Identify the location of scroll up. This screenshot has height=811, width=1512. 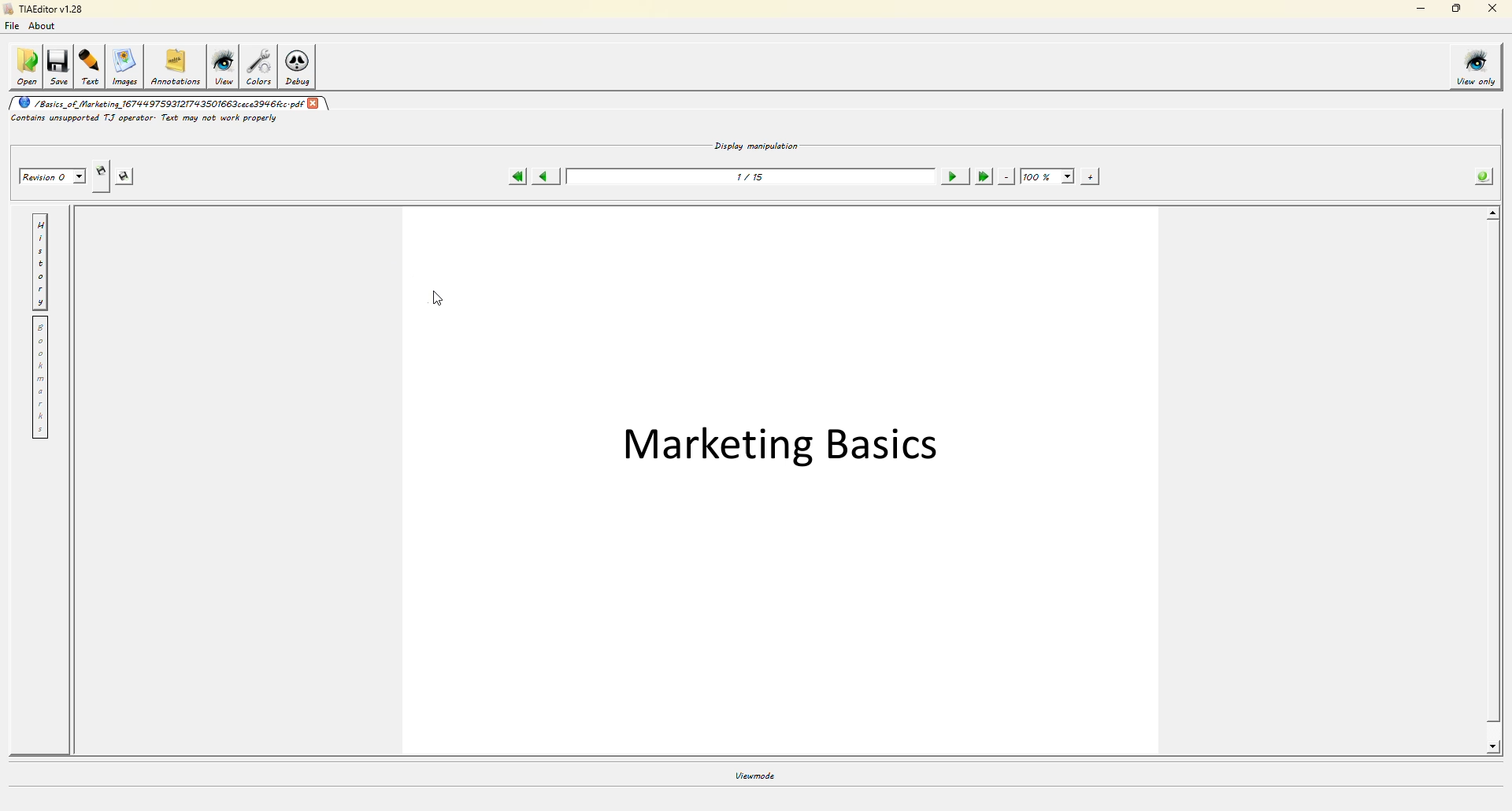
(1487, 216).